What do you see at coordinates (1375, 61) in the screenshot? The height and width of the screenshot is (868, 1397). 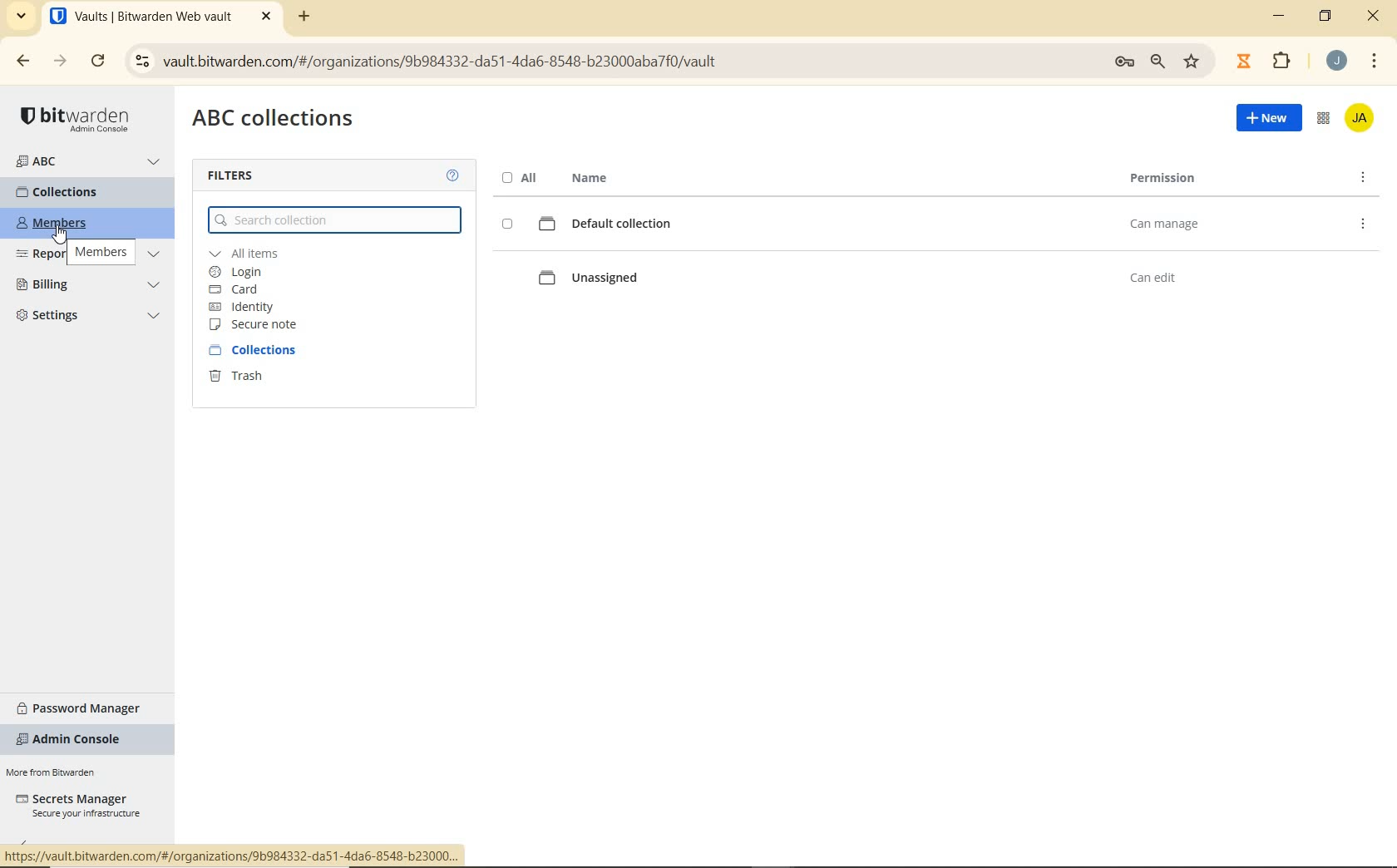 I see `CUSTOMIZE` at bounding box center [1375, 61].